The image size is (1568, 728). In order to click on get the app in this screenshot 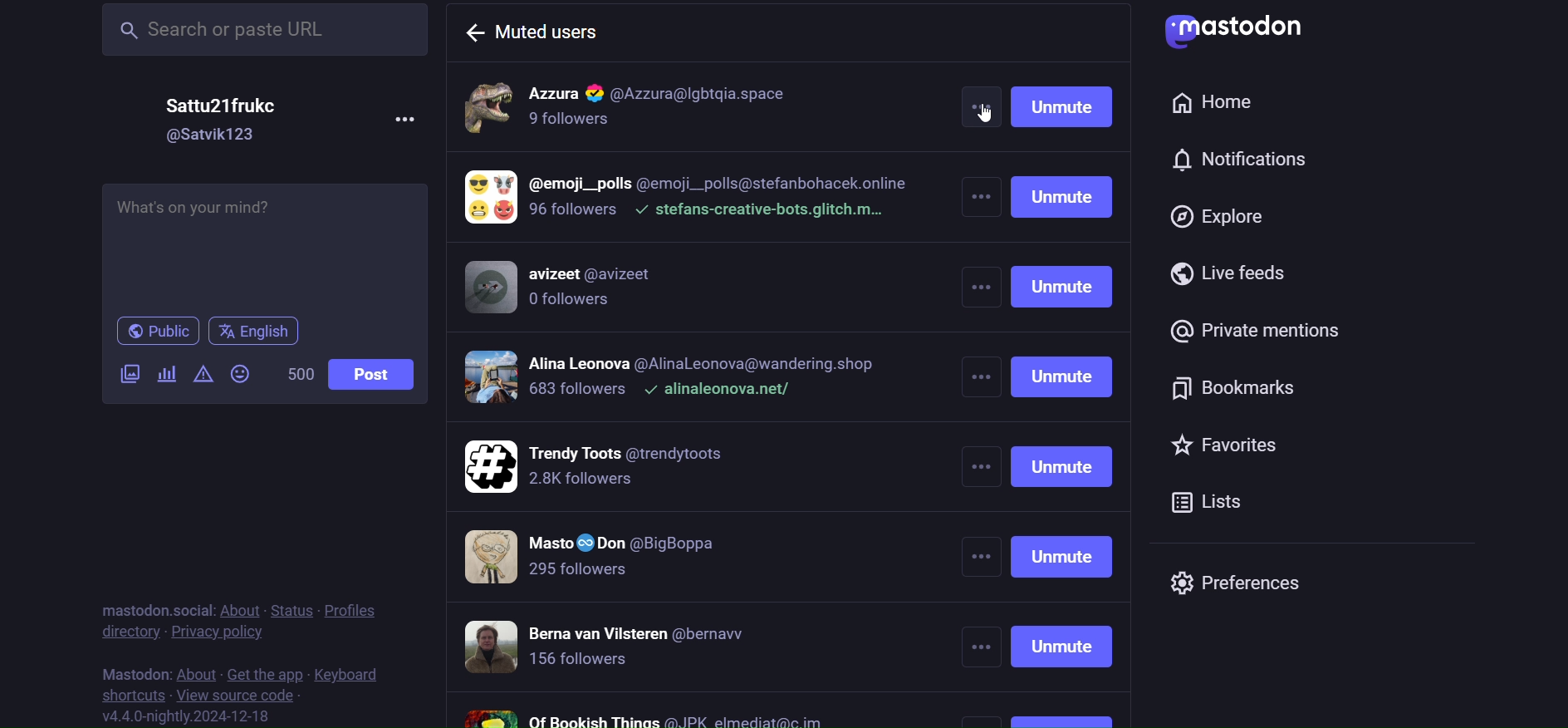, I will do `click(266, 676)`.